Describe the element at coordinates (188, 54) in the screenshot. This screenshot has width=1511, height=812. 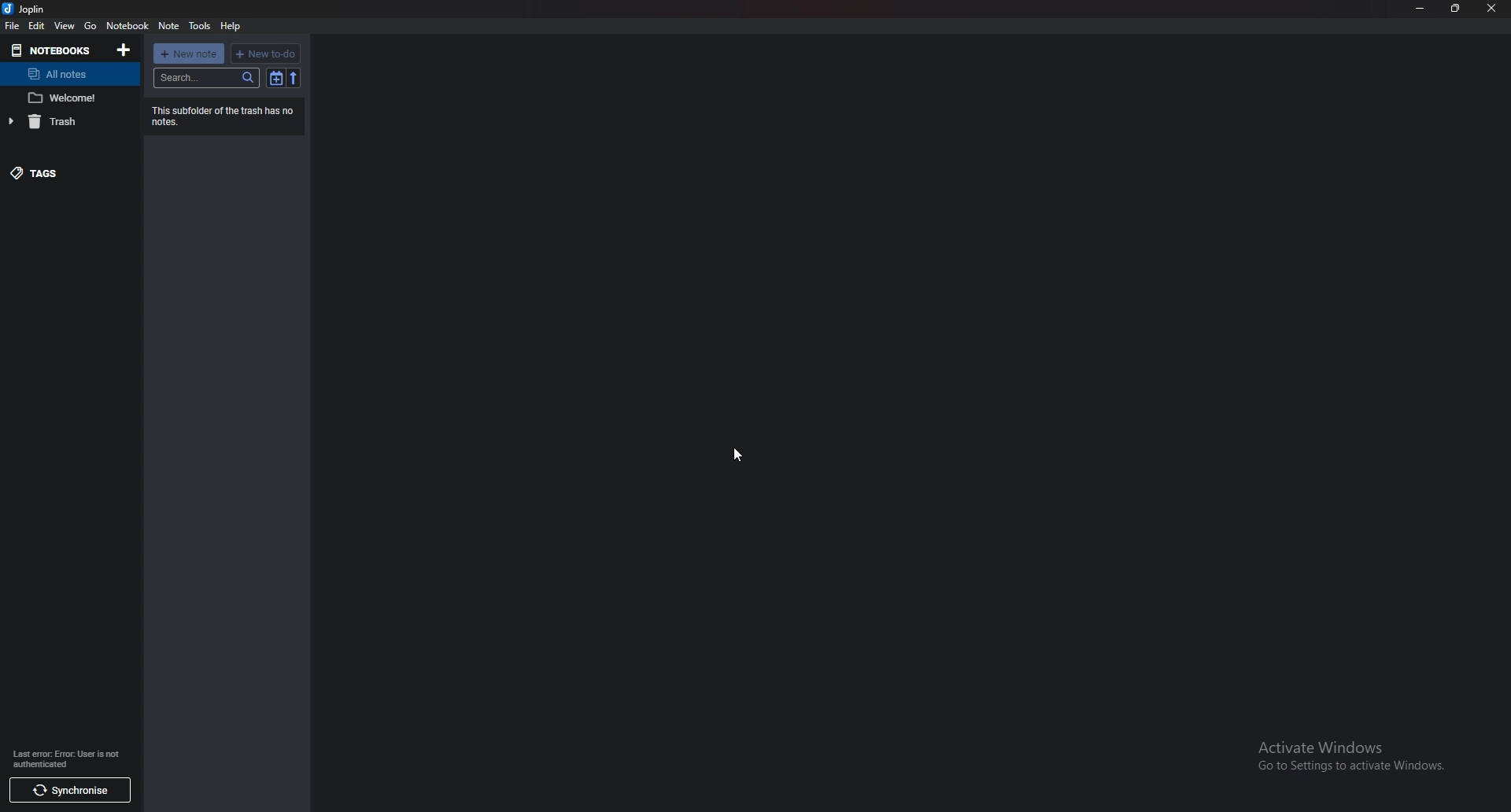
I see `New note` at that location.